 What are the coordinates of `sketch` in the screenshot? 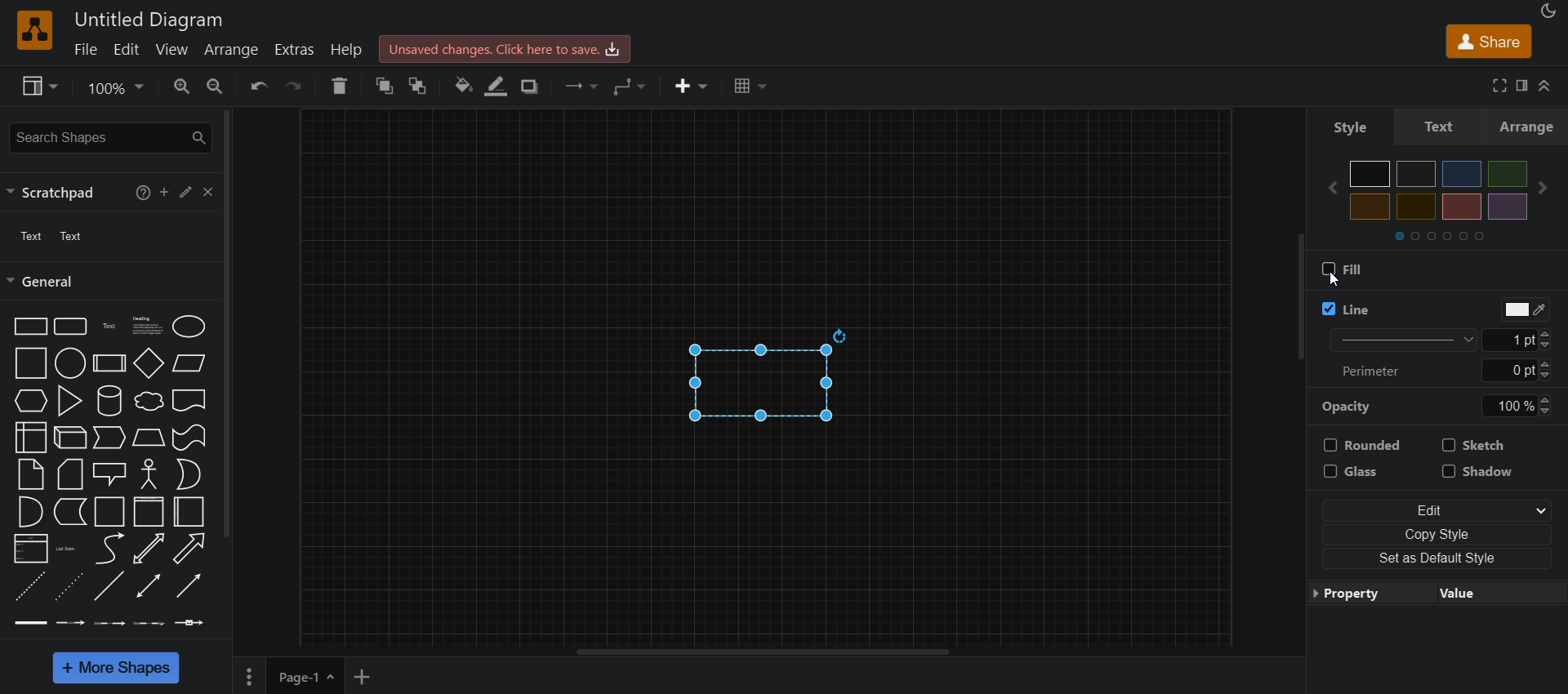 It's located at (1476, 446).